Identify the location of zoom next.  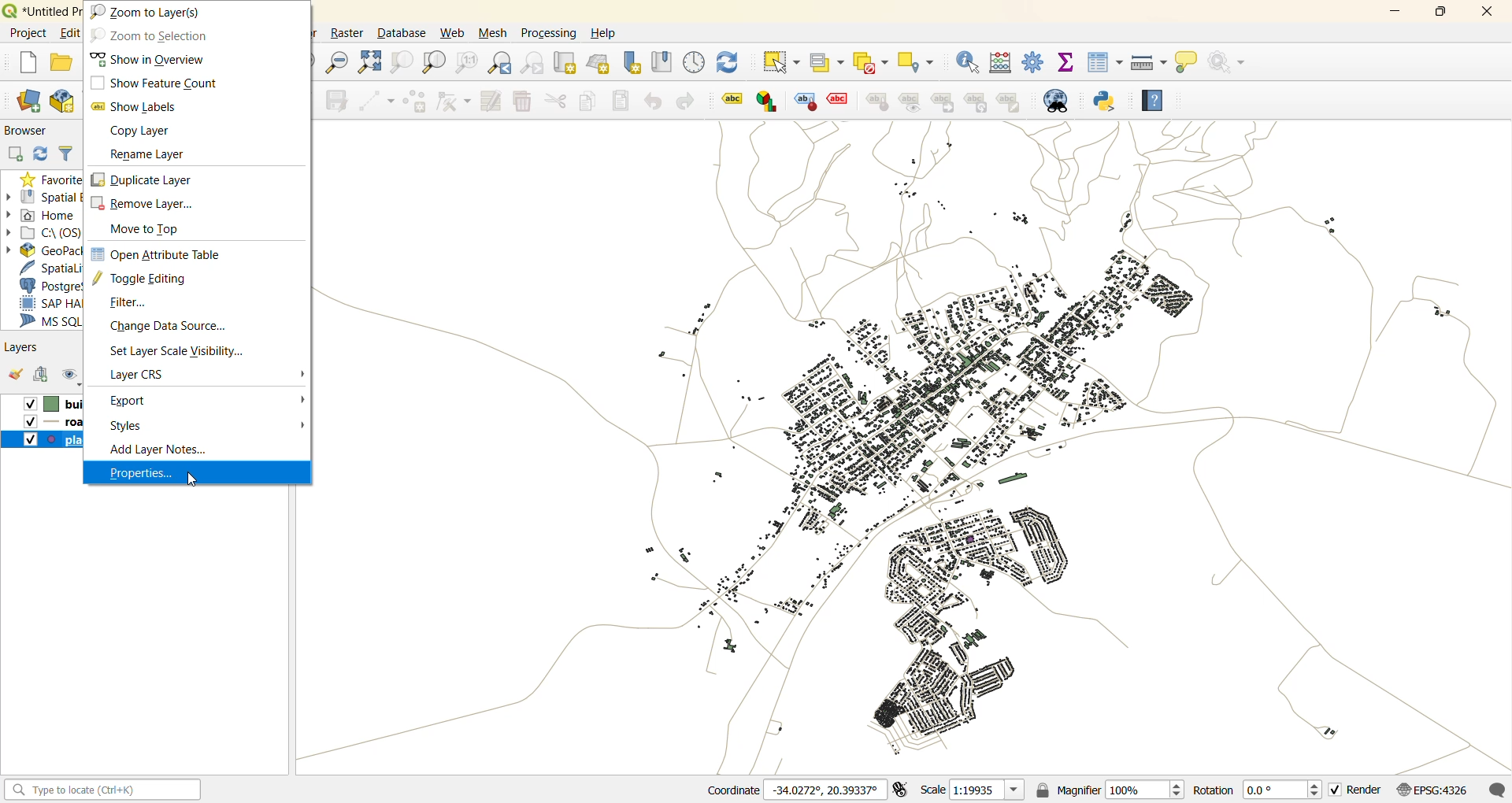
(532, 64).